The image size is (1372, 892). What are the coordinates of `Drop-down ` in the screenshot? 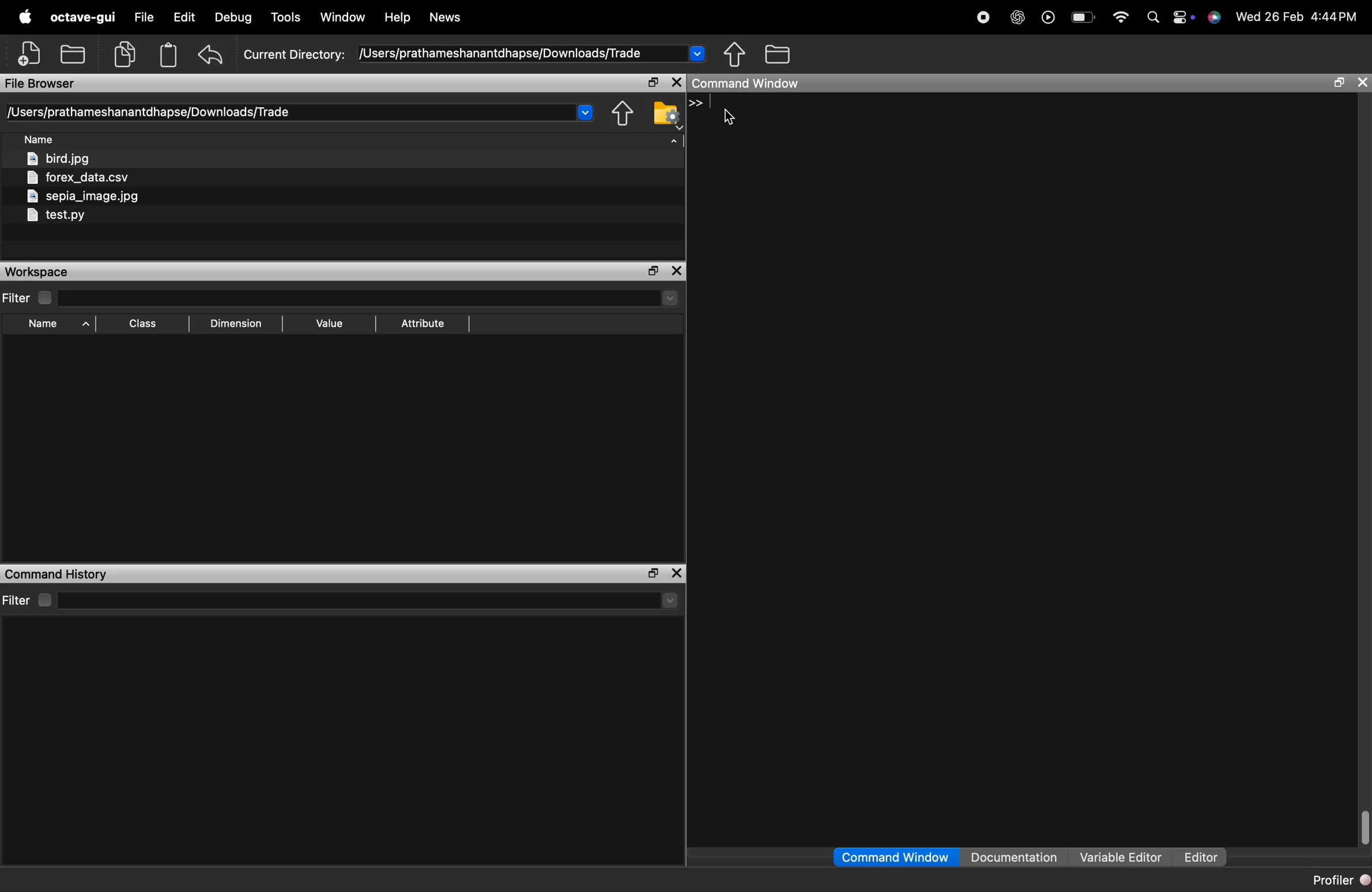 It's located at (670, 297).